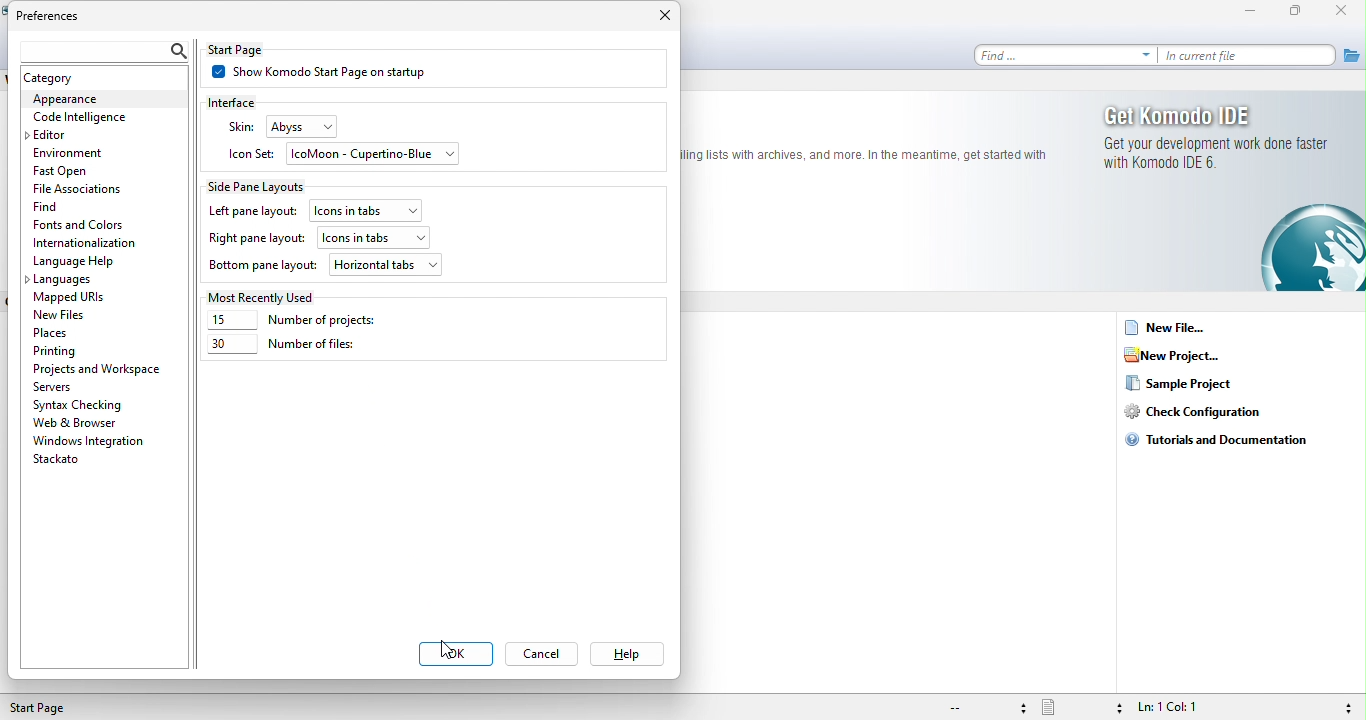  What do you see at coordinates (1081, 707) in the screenshot?
I see `file type` at bounding box center [1081, 707].